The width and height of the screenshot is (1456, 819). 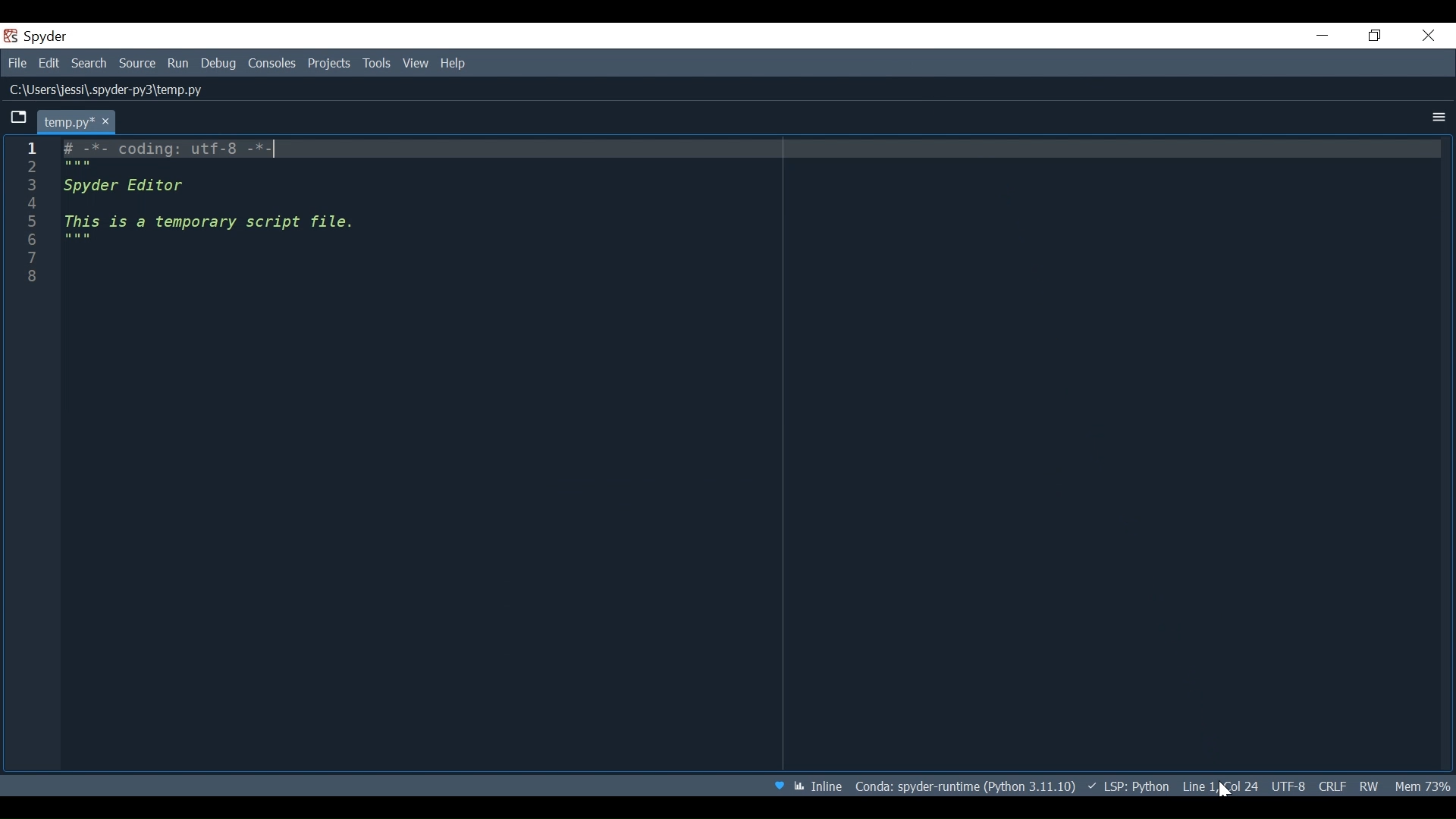 What do you see at coordinates (375, 63) in the screenshot?
I see `Tools` at bounding box center [375, 63].